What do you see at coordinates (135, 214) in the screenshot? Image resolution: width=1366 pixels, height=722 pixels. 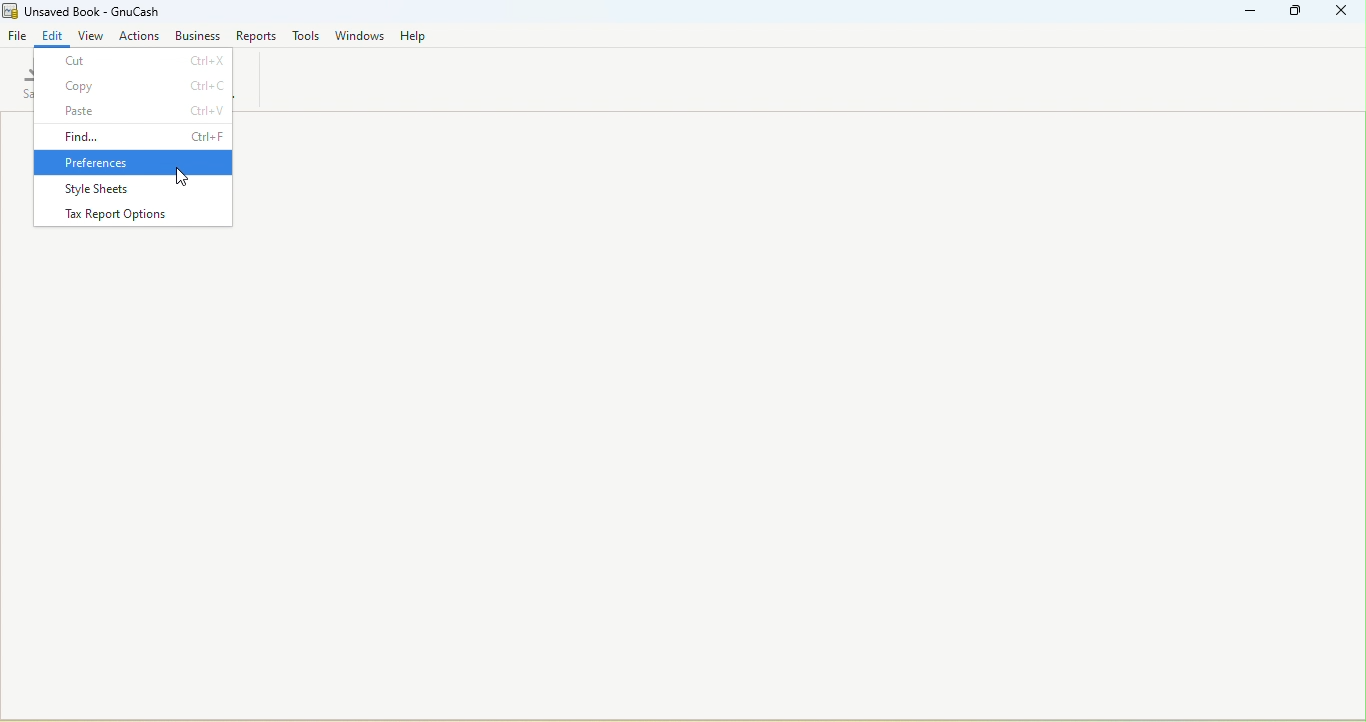 I see `Tax report options` at bounding box center [135, 214].